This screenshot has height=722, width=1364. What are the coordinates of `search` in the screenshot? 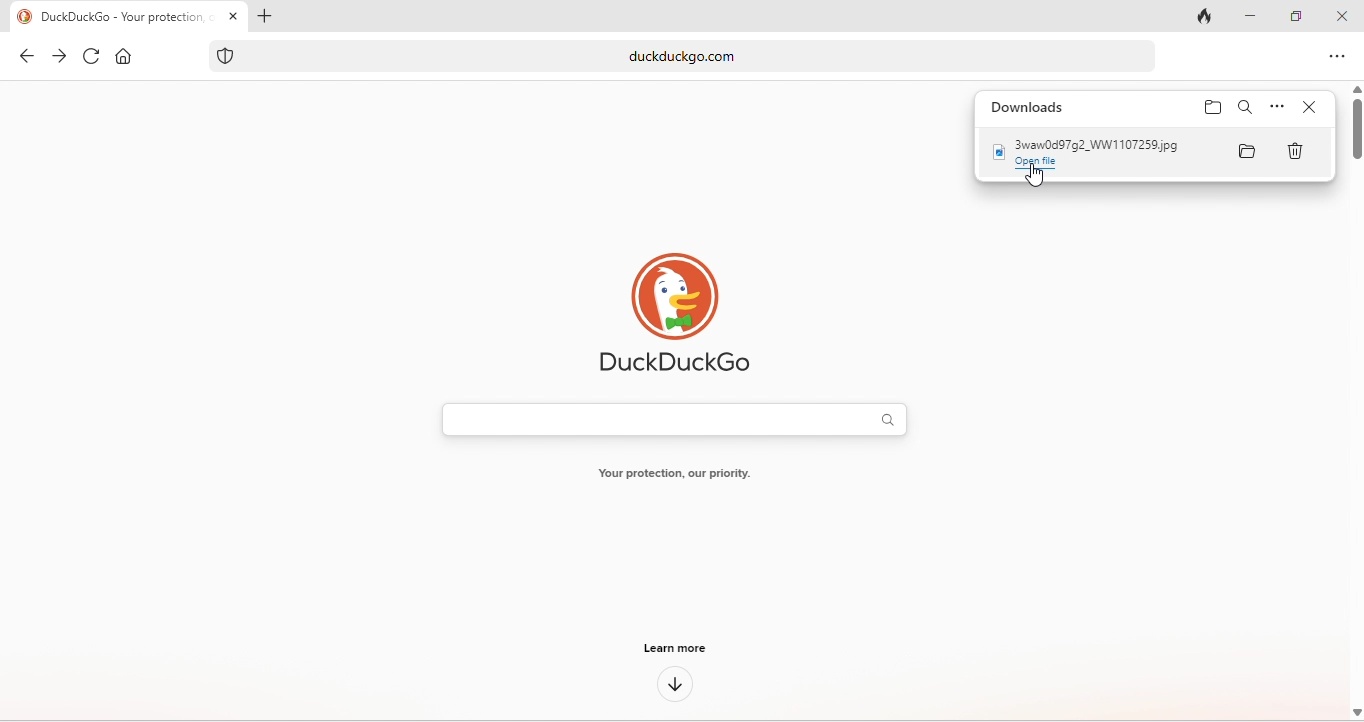 It's located at (1245, 108).